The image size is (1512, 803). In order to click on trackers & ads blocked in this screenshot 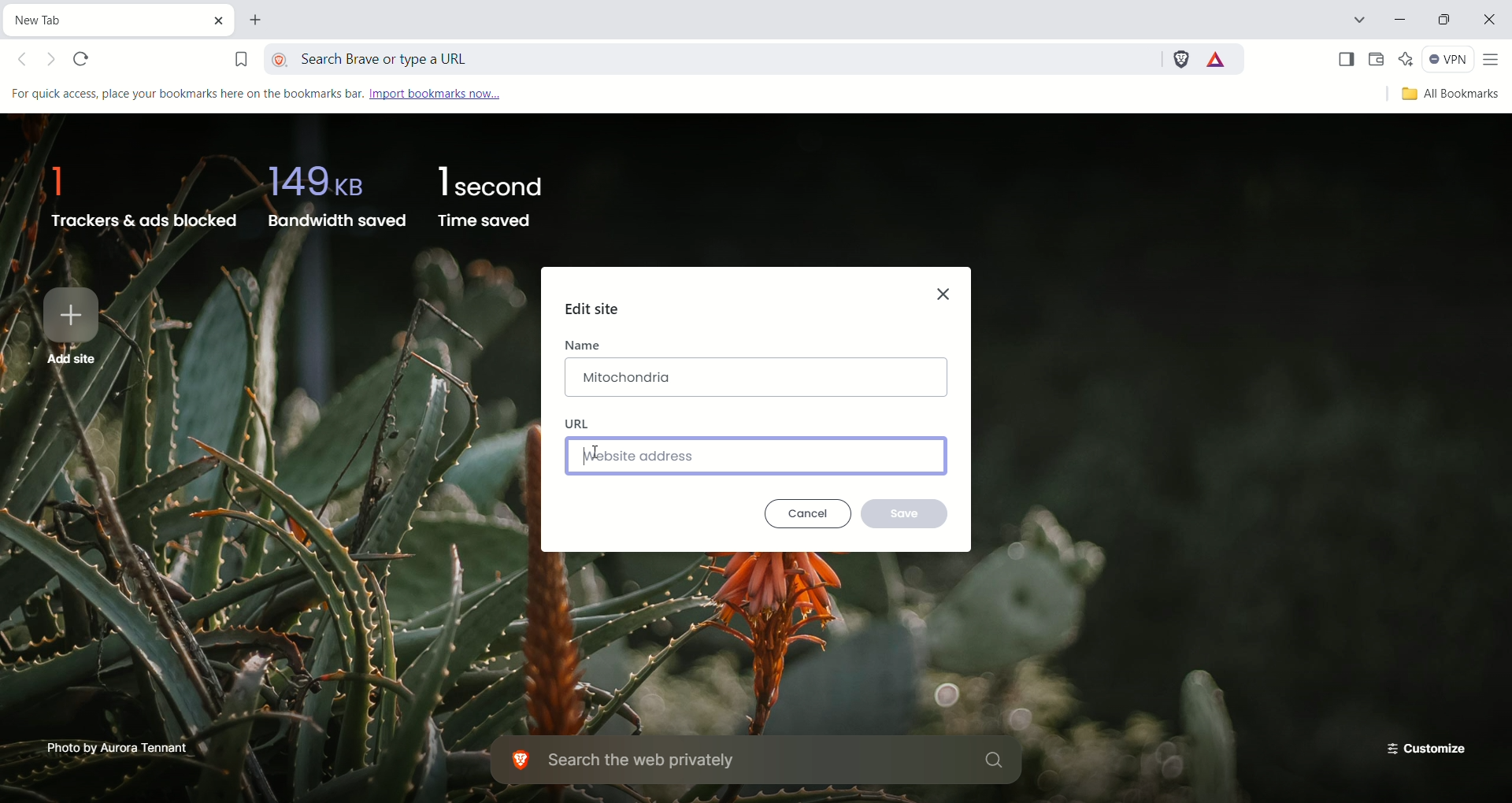, I will do `click(138, 191)`.